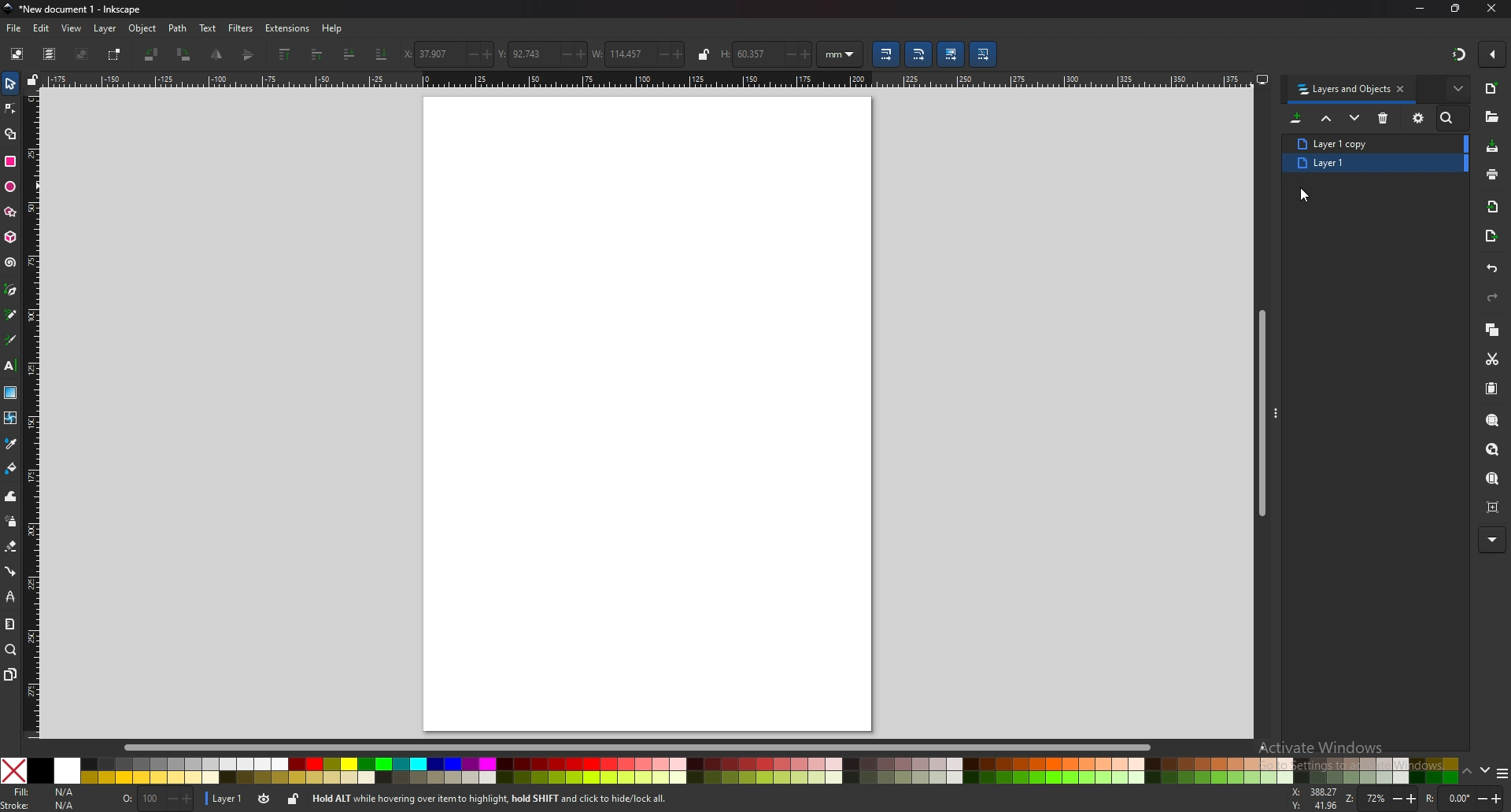 The height and width of the screenshot is (812, 1511). What do you see at coordinates (1494, 507) in the screenshot?
I see `zoom centre page` at bounding box center [1494, 507].